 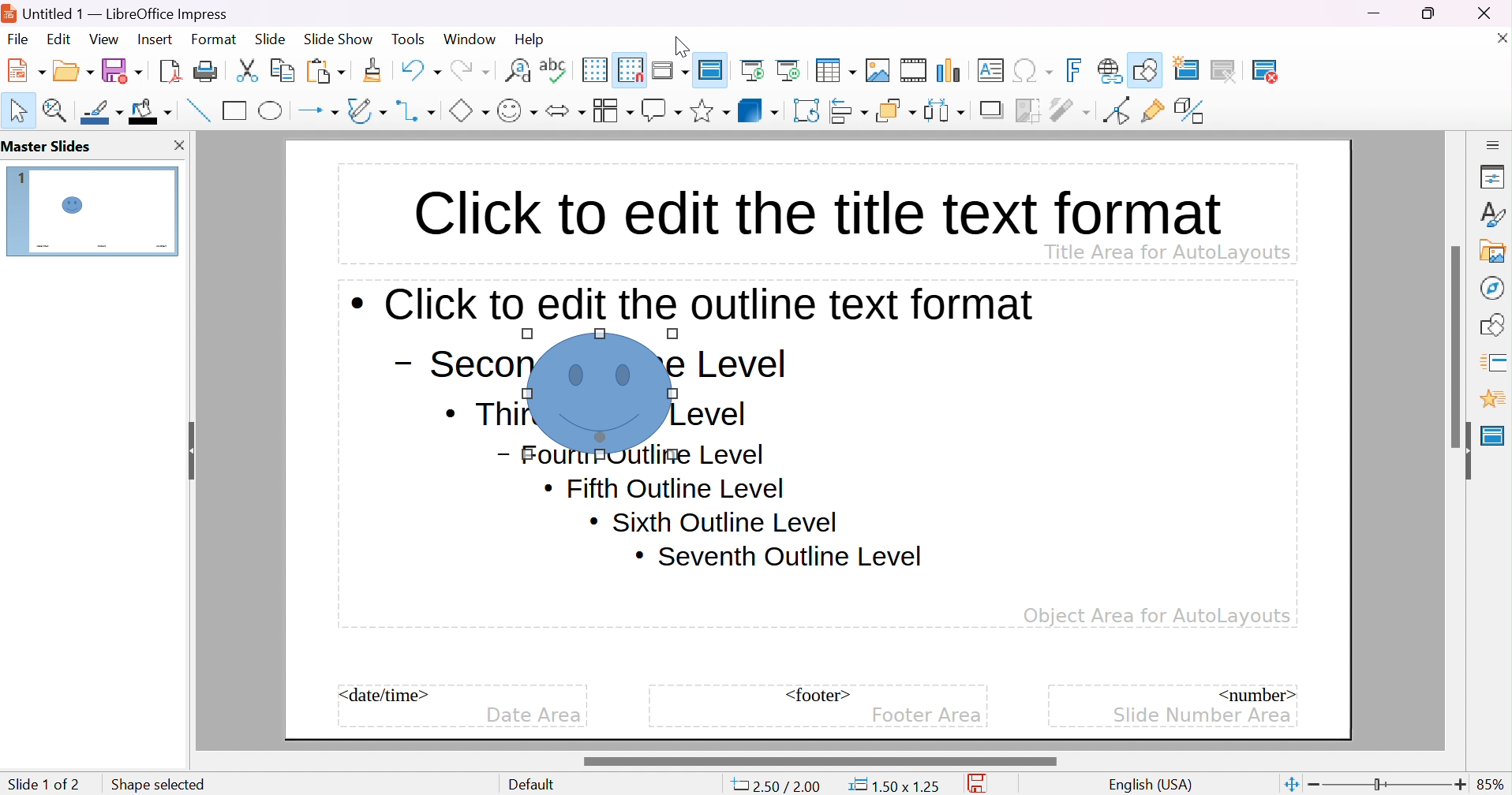 I want to click on close, so click(x=178, y=145).